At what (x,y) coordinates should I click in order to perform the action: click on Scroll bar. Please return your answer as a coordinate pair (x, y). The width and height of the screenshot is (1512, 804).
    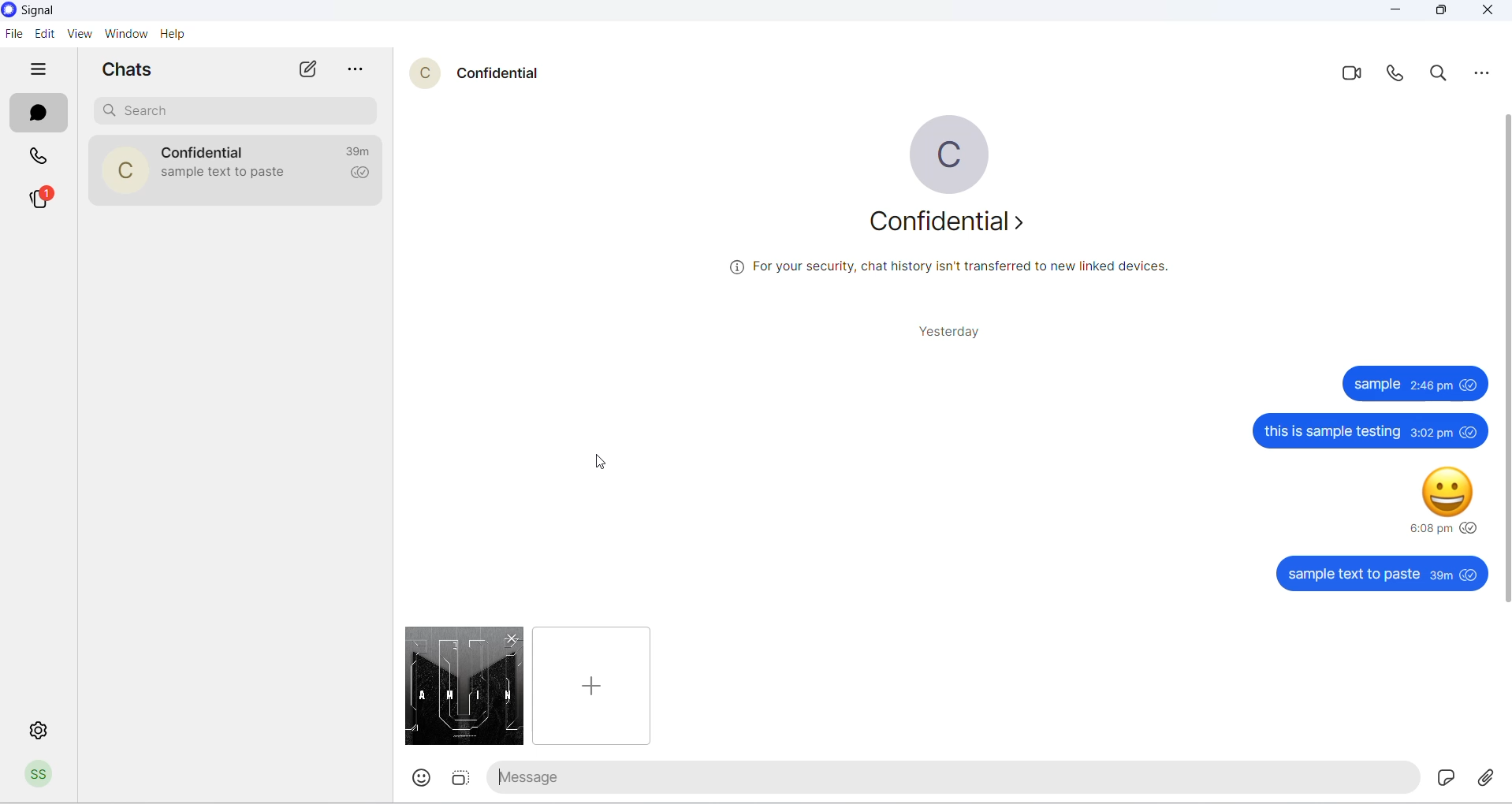
    Looking at the image, I should click on (1501, 229).